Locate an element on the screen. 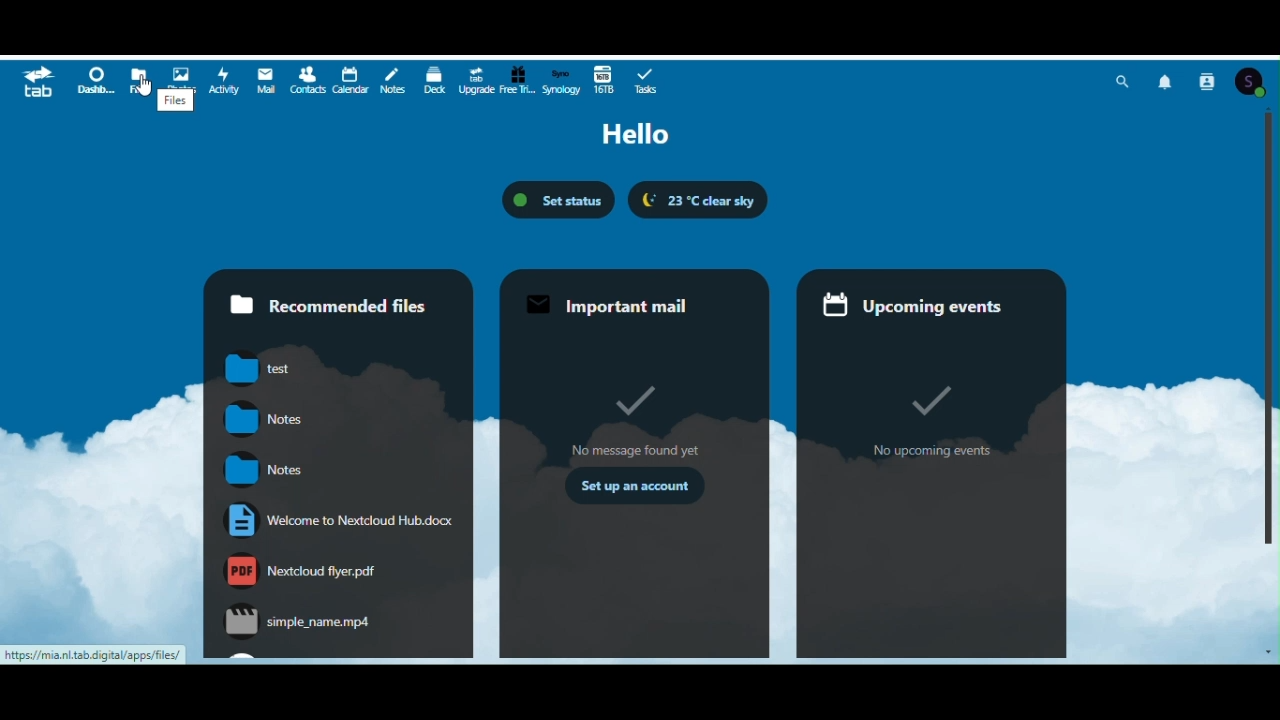 This screenshot has height=720, width=1280. Free trial is located at coordinates (515, 80).